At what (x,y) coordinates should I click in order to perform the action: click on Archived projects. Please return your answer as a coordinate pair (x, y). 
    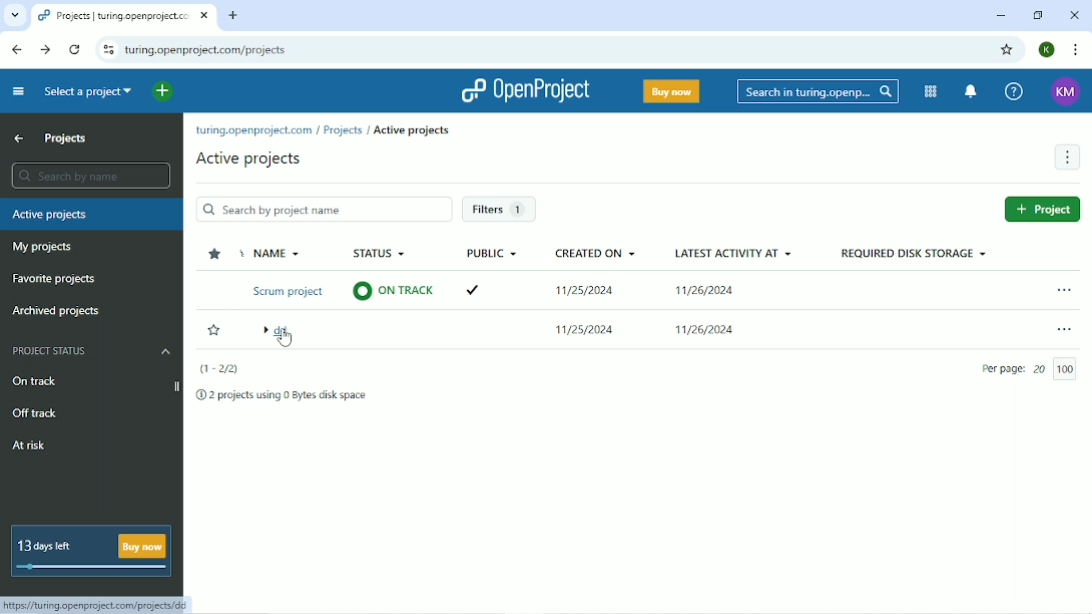
    Looking at the image, I should click on (61, 309).